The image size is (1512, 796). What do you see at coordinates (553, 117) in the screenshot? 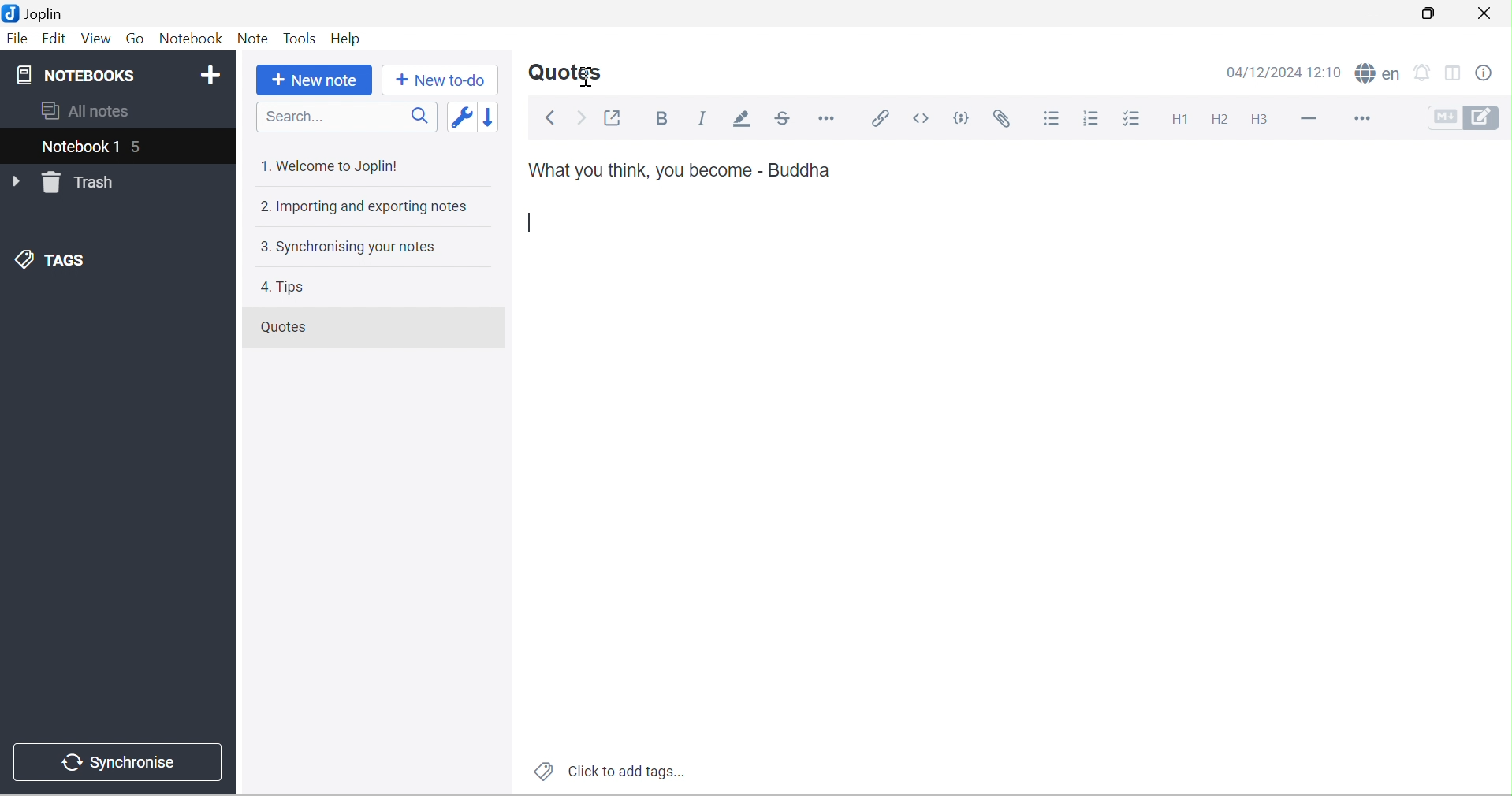
I see `Back` at bounding box center [553, 117].